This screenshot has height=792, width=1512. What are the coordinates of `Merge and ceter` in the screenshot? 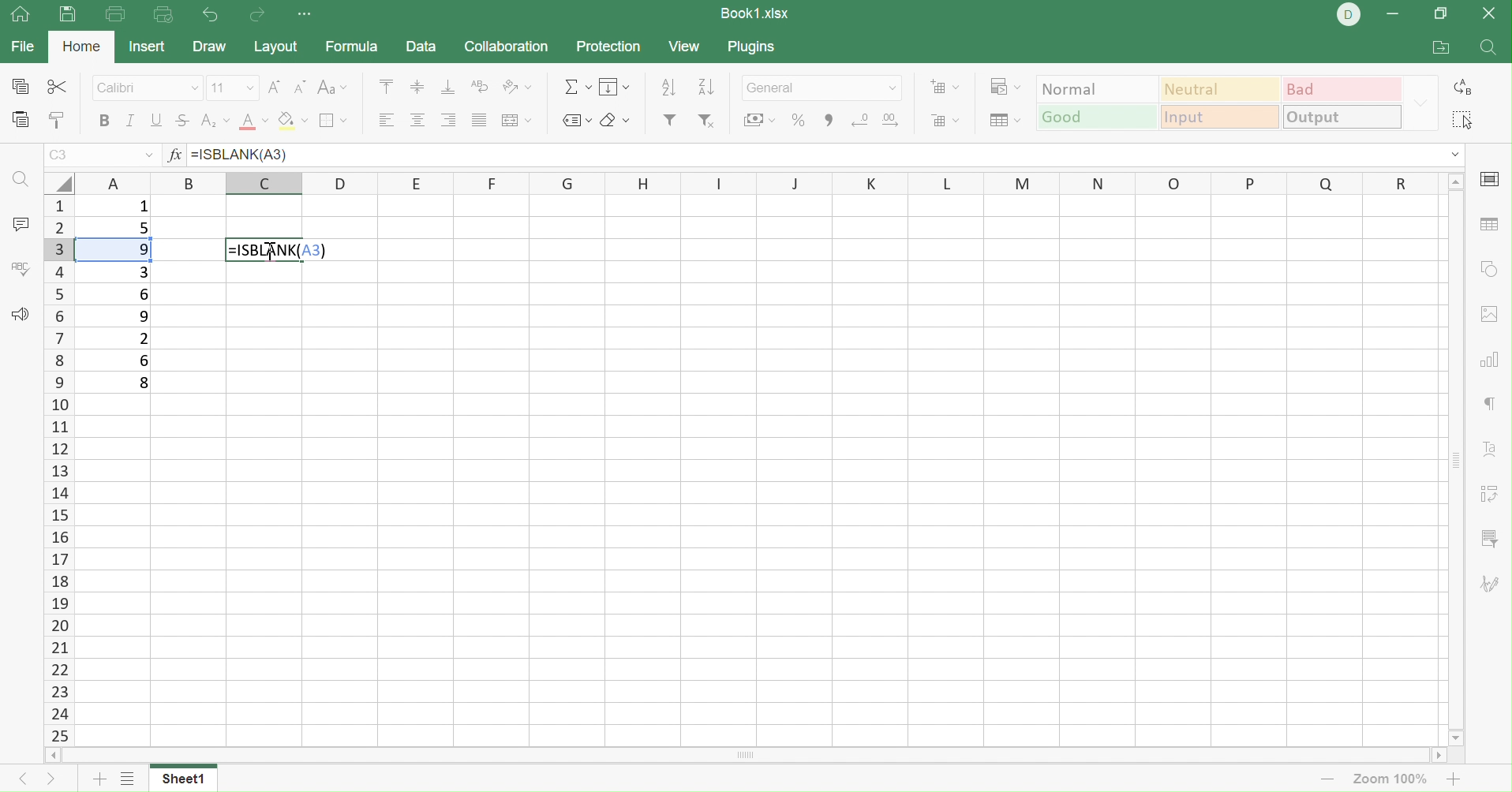 It's located at (518, 120).